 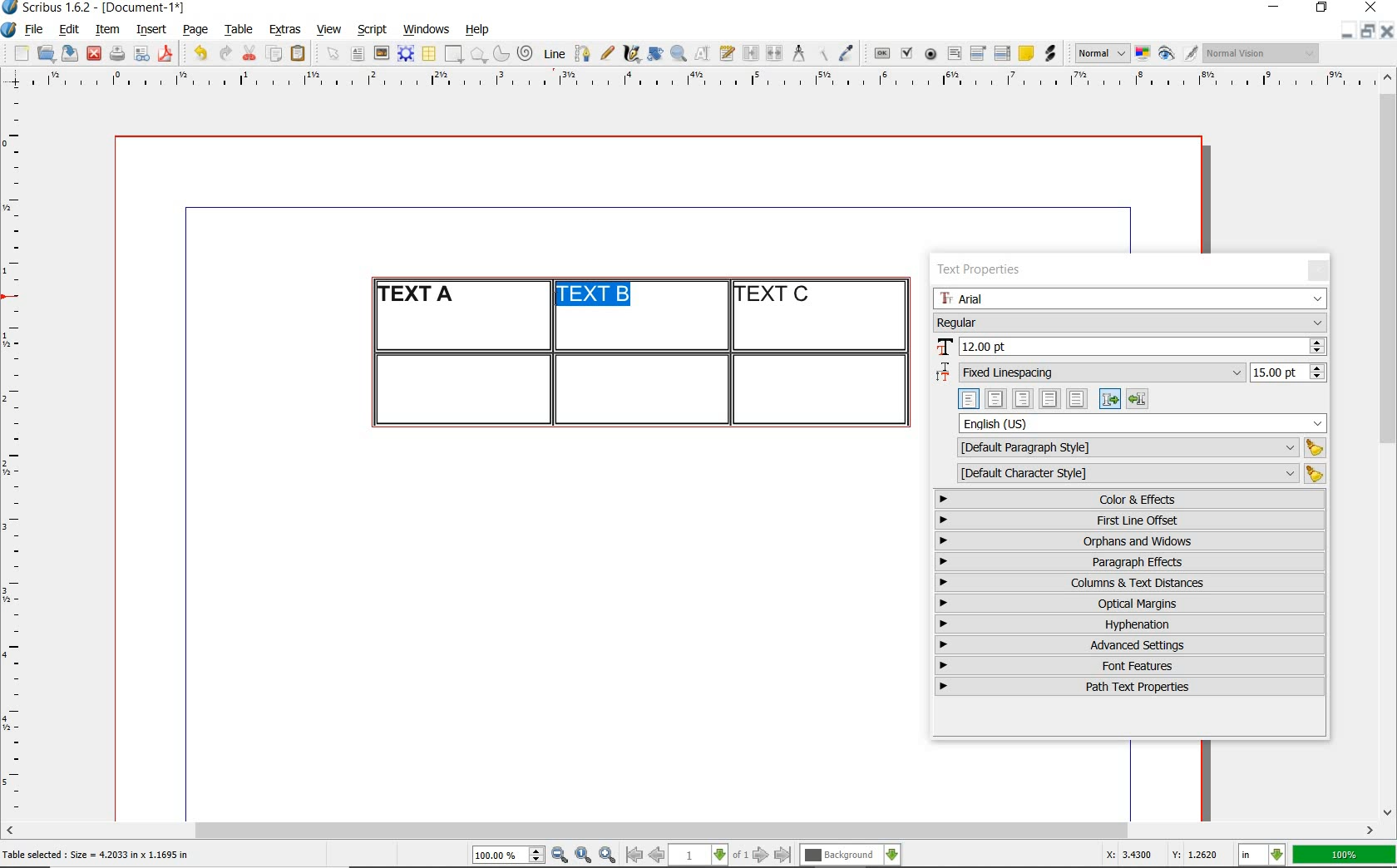 What do you see at coordinates (1131, 604) in the screenshot?
I see `optical margins` at bounding box center [1131, 604].